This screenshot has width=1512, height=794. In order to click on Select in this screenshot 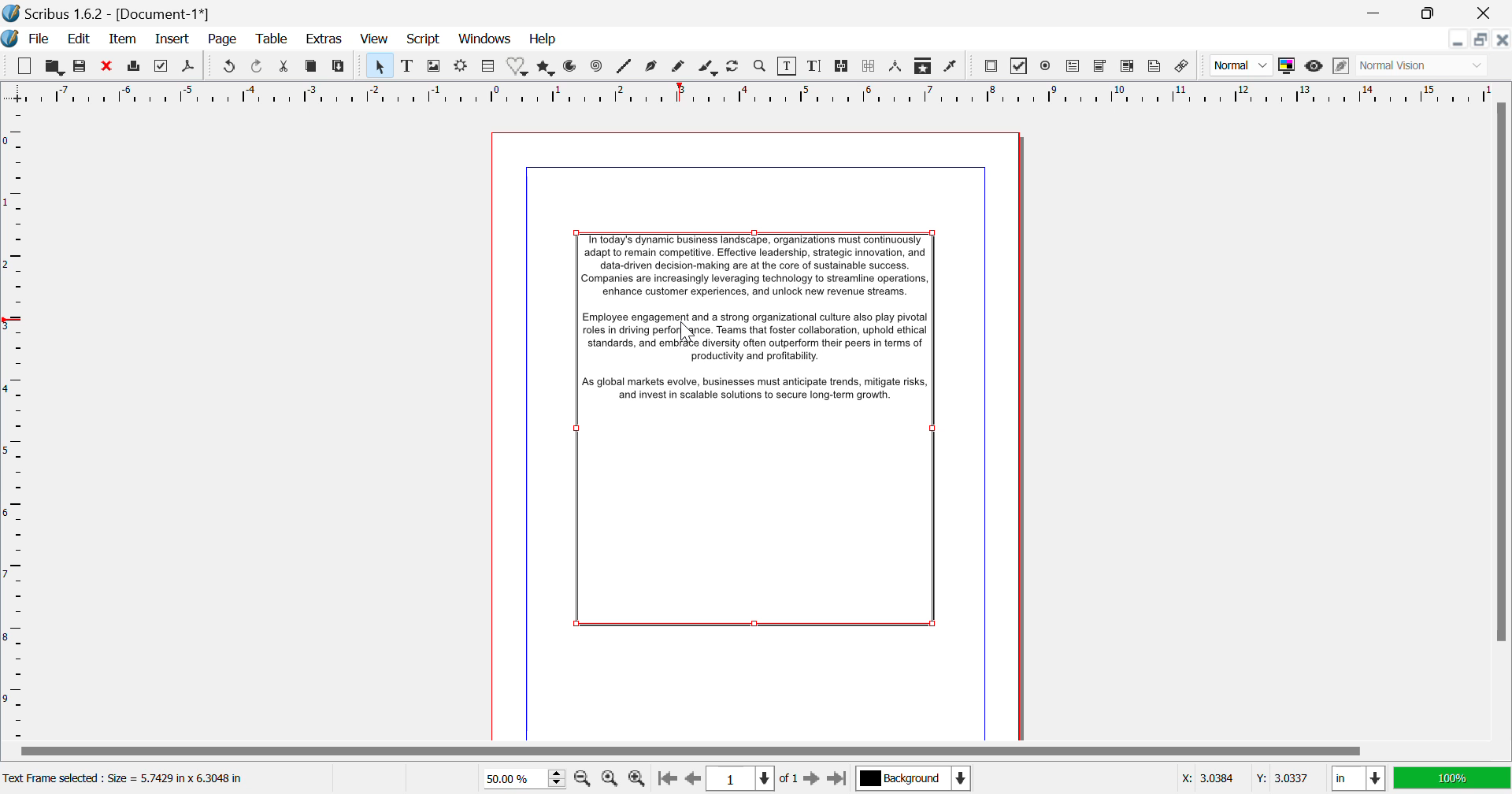, I will do `click(381, 65)`.